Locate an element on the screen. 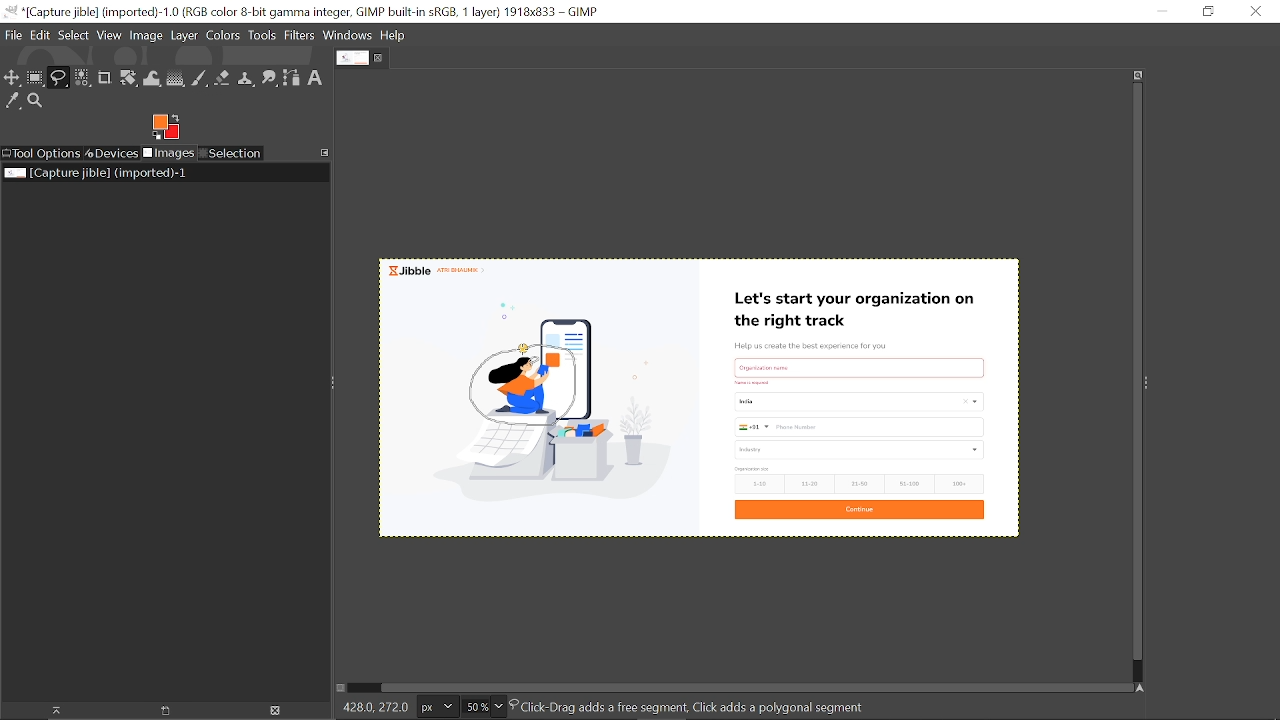  Filters is located at coordinates (300, 36).